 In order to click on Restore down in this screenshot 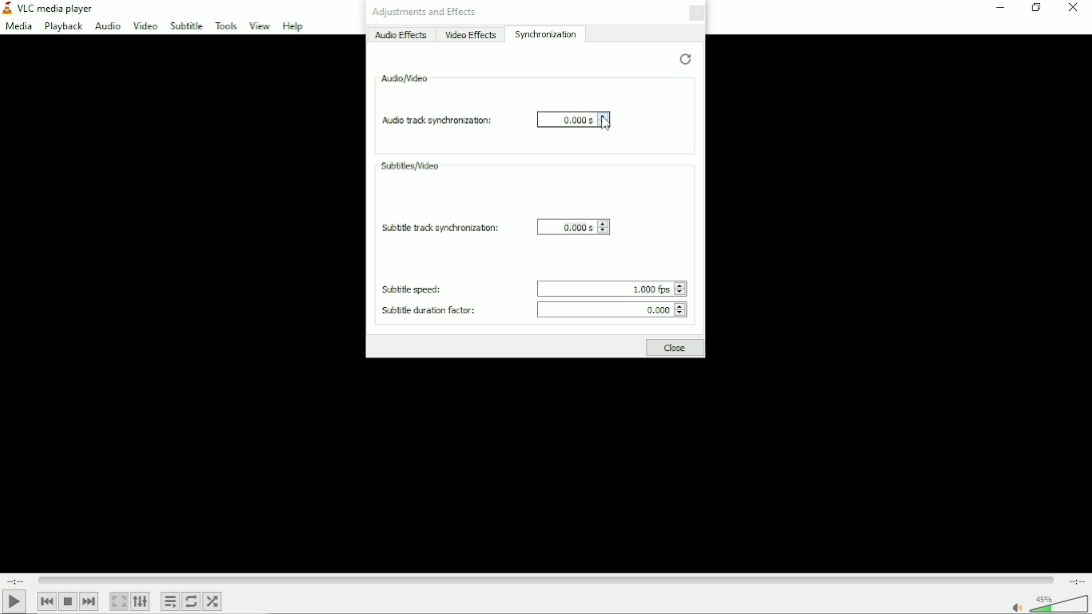, I will do `click(1035, 8)`.